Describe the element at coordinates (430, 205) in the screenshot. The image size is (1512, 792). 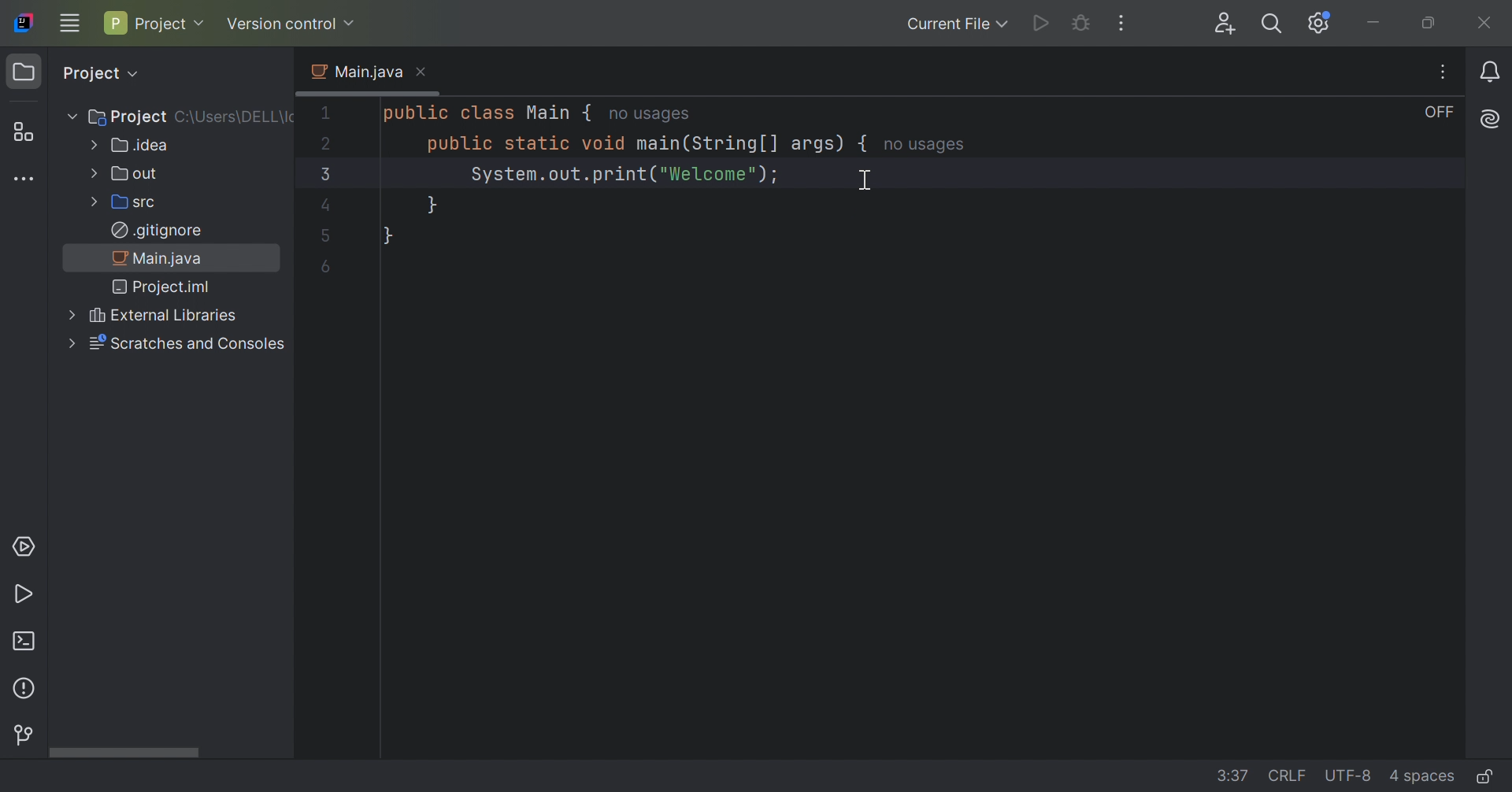
I see `}` at that location.